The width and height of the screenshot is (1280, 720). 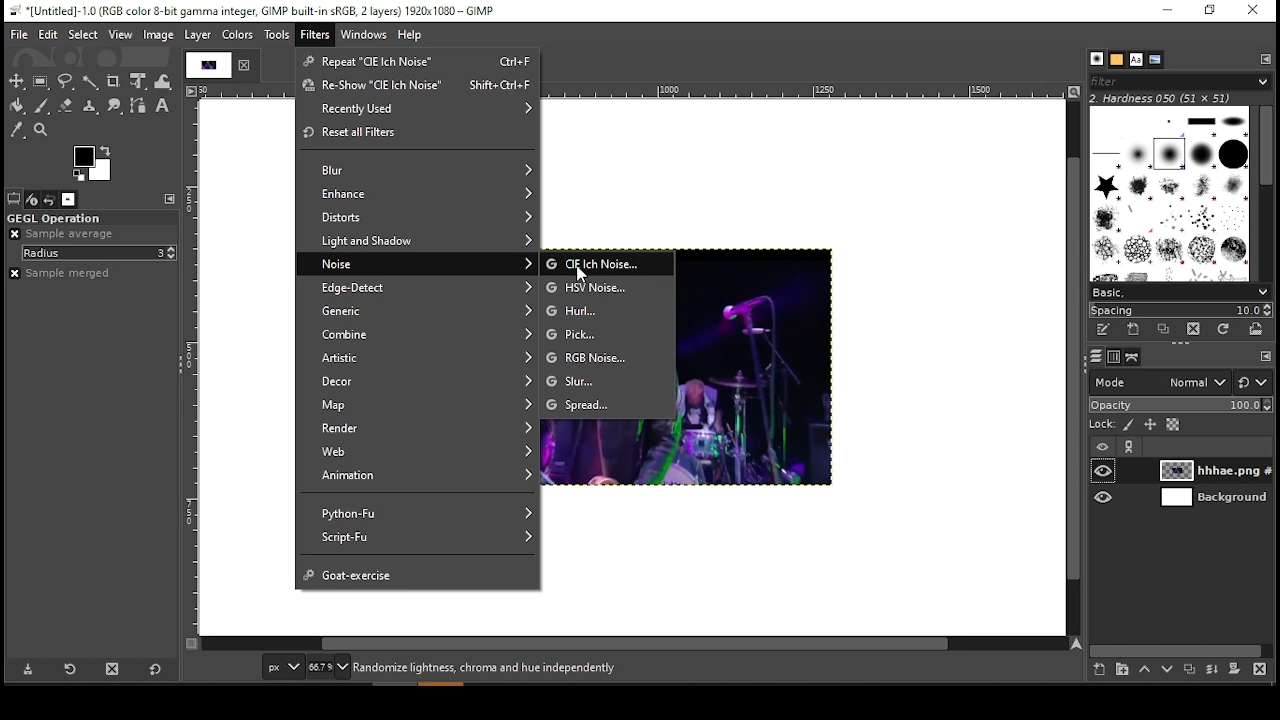 What do you see at coordinates (1107, 332) in the screenshot?
I see `edit this brush` at bounding box center [1107, 332].